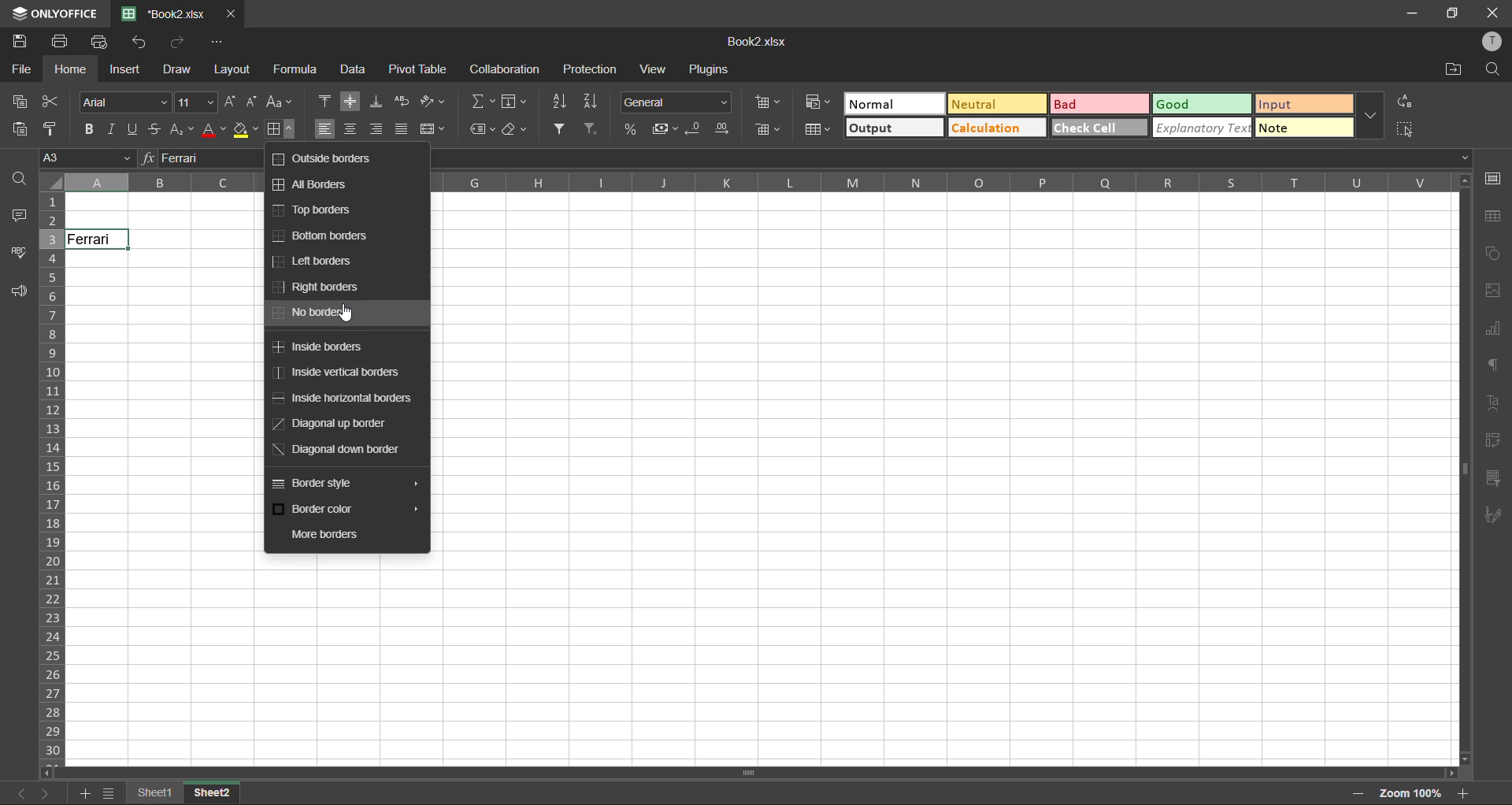 The width and height of the screenshot is (1512, 805). I want to click on more borders, so click(322, 534).